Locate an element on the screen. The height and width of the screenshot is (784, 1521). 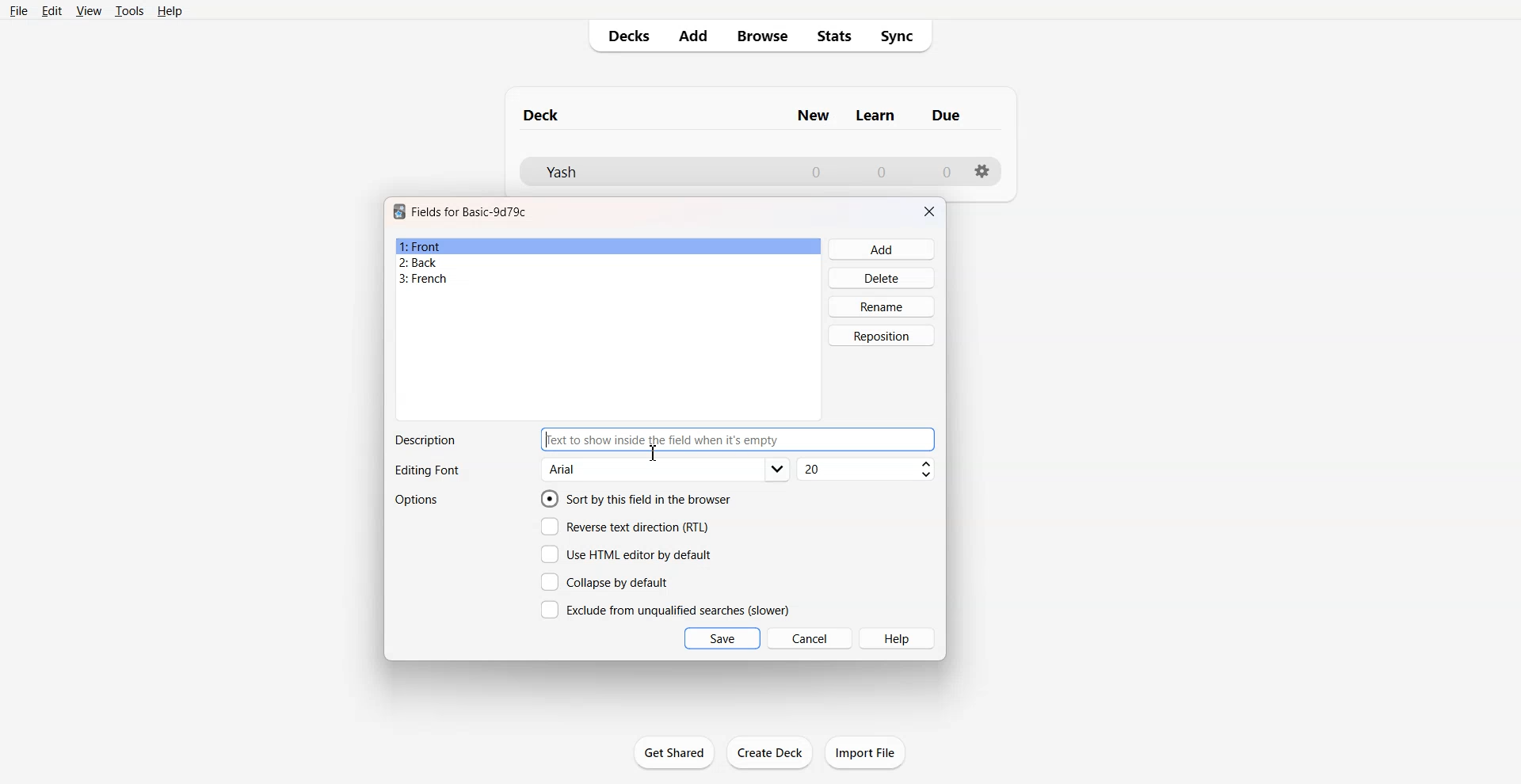
Add is located at coordinates (692, 36).